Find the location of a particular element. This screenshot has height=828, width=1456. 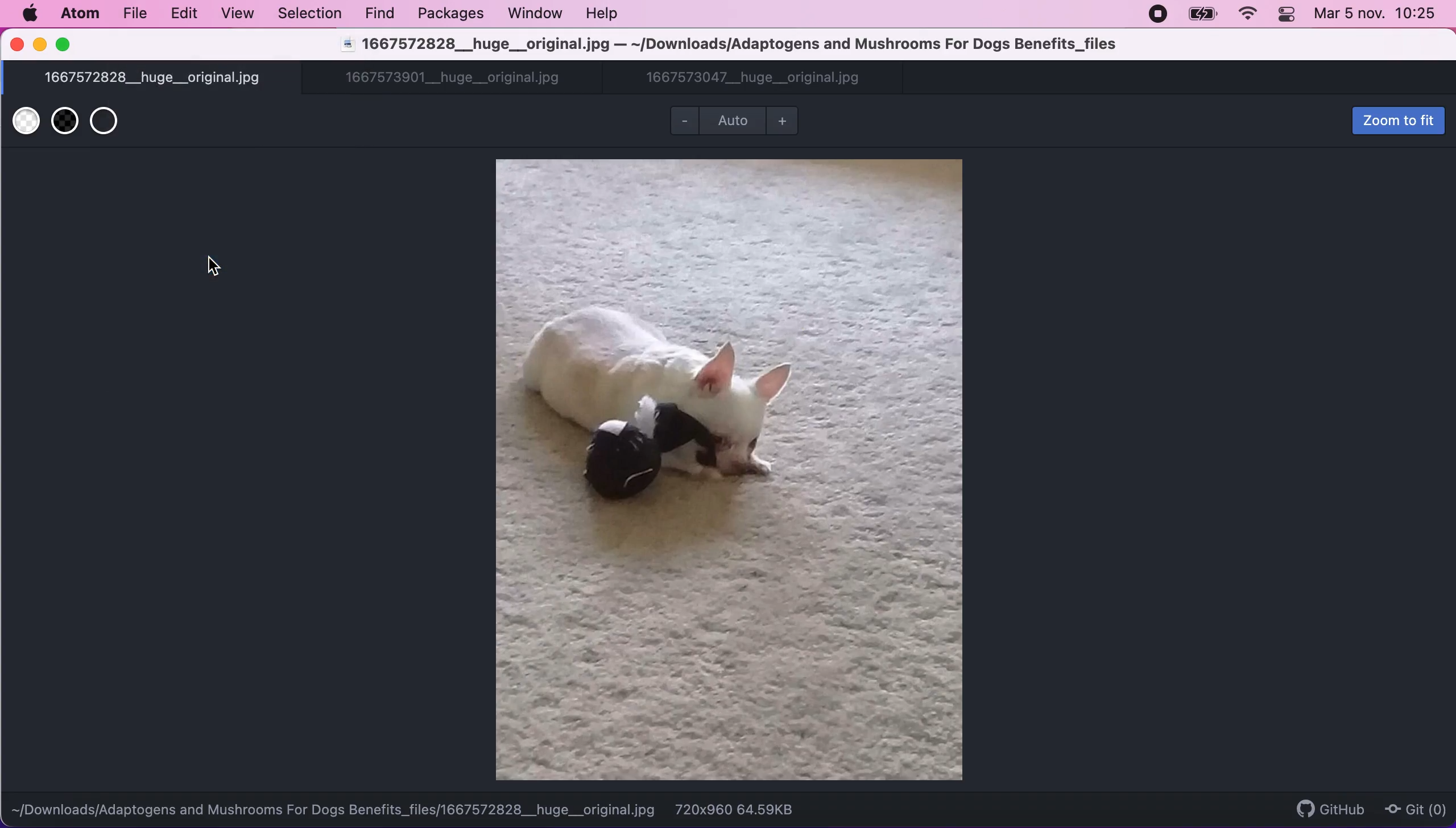

1667572828__huge__original.jpg is located at coordinates (154, 79).